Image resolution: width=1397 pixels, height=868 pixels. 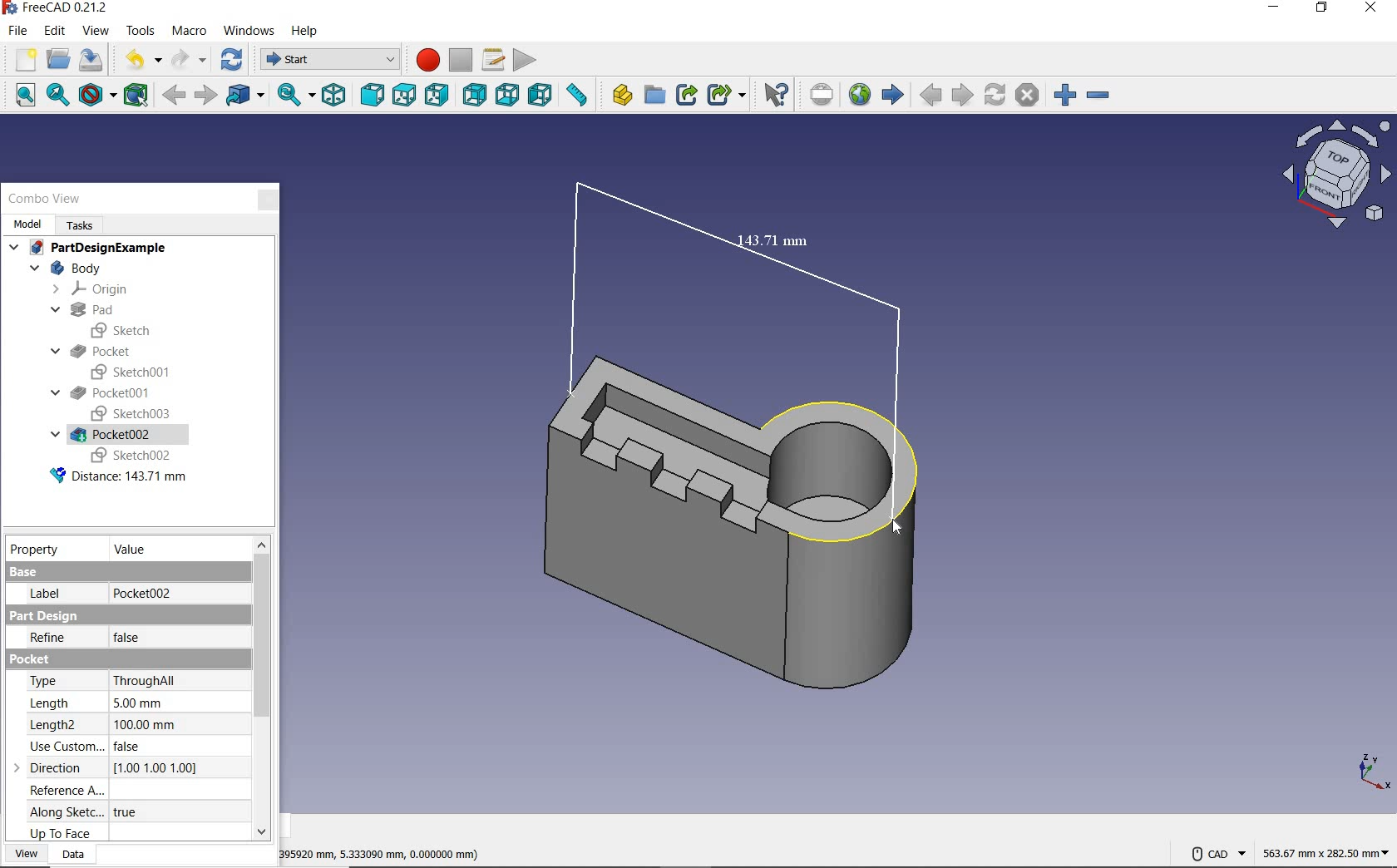 What do you see at coordinates (293, 96) in the screenshot?
I see `sync view` at bounding box center [293, 96].